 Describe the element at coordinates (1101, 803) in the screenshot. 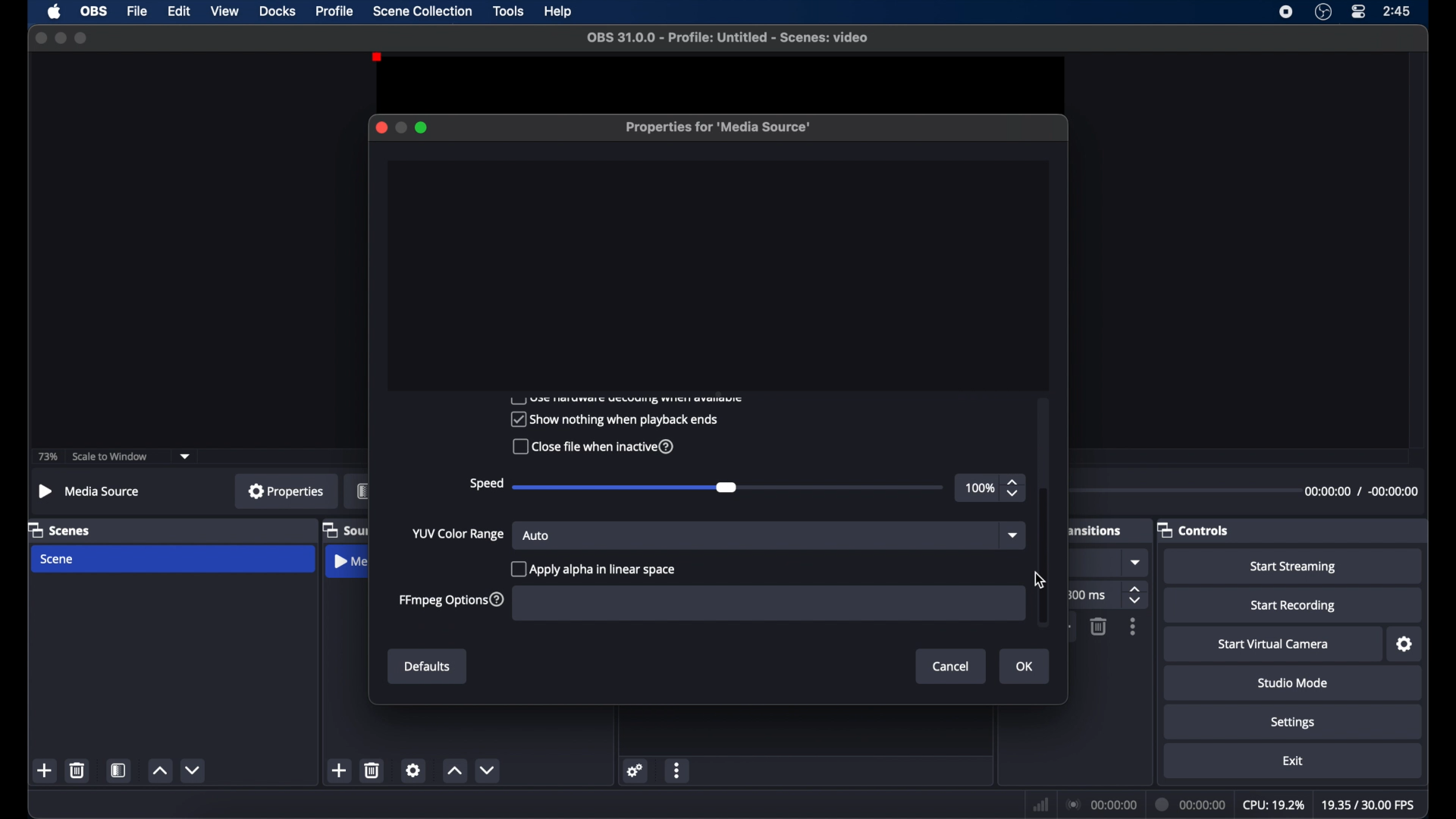

I see `connection` at that location.